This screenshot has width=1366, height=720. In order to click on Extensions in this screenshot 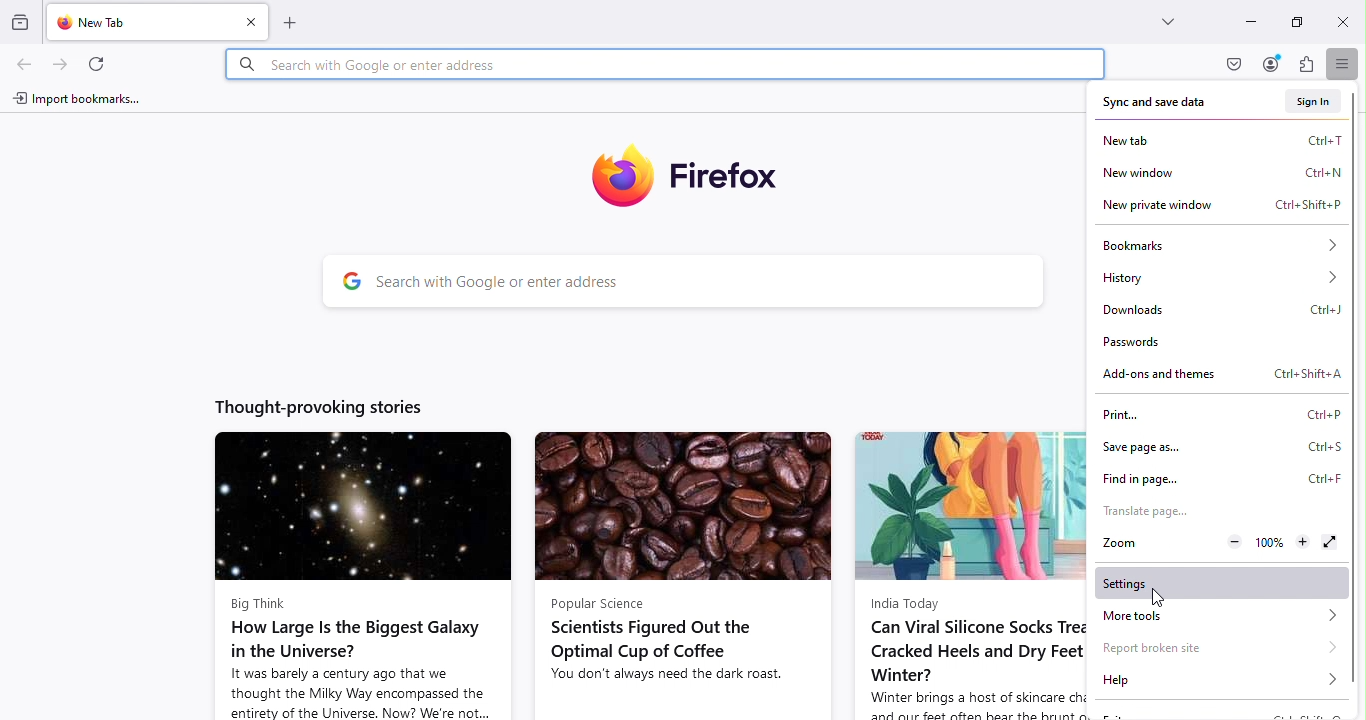, I will do `click(1304, 65)`.